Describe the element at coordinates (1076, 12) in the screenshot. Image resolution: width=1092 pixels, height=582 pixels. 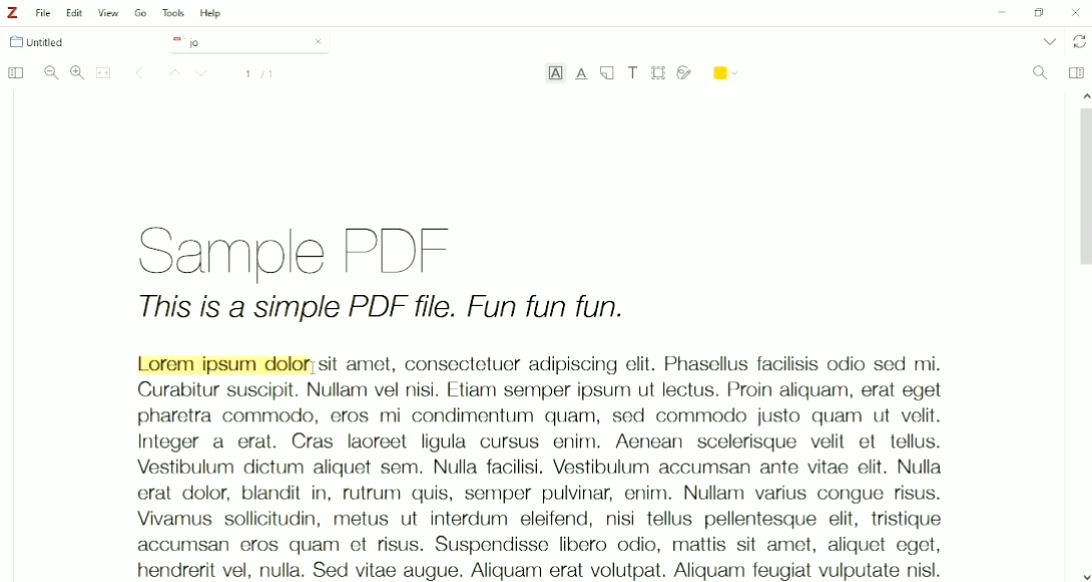
I see `Close` at that location.